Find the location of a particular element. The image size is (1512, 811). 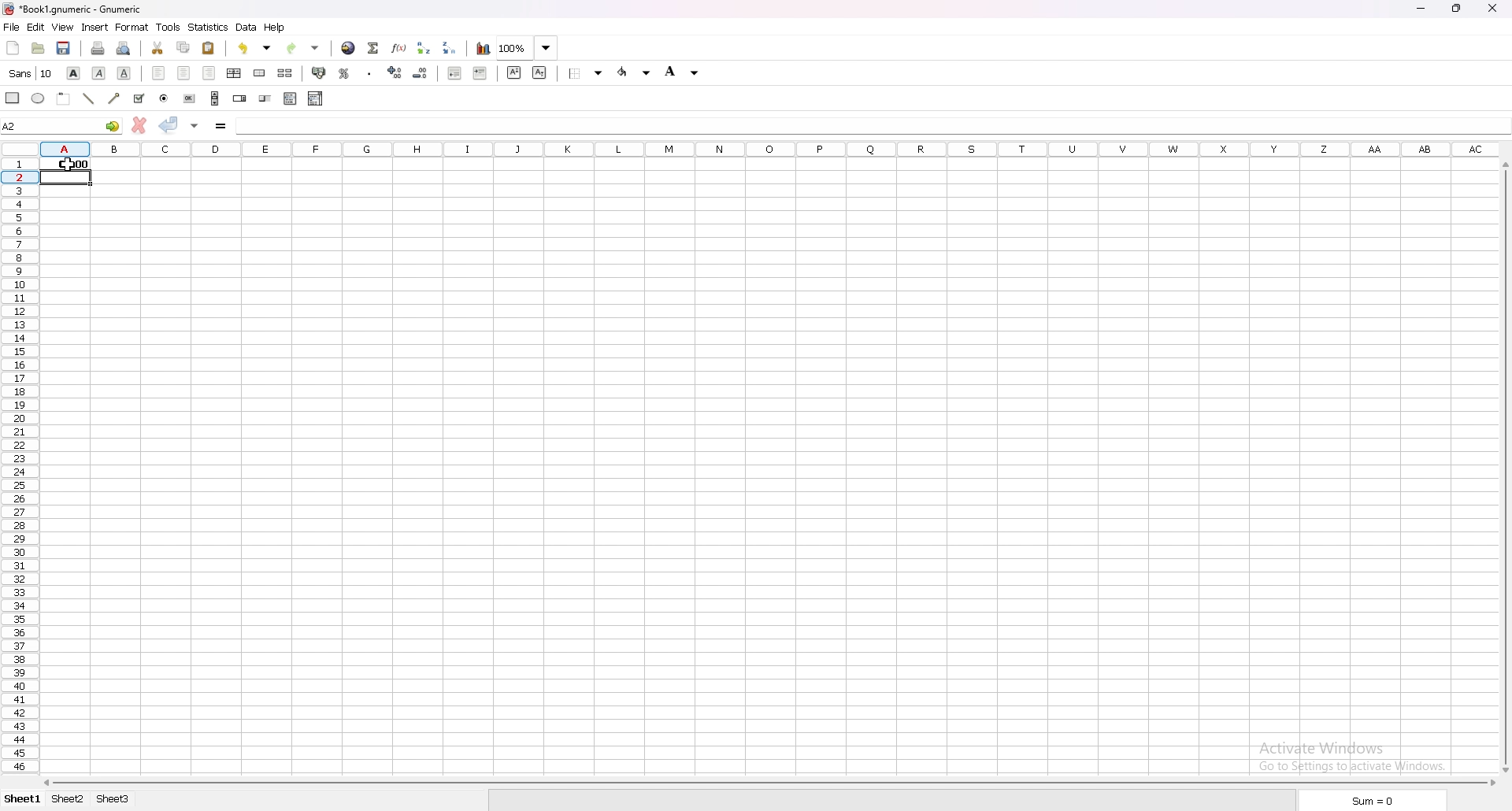

subscript is located at coordinates (540, 73).